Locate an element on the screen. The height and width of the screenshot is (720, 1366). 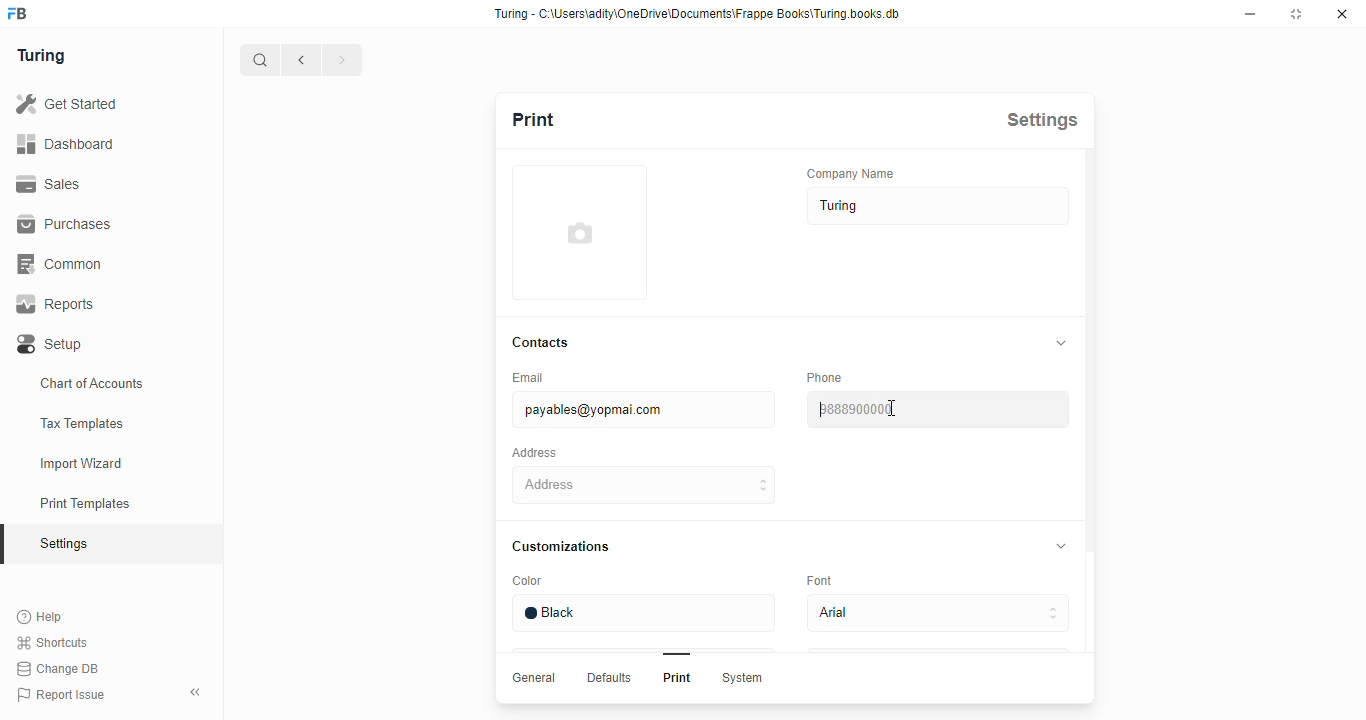
go back is located at coordinates (302, 58).